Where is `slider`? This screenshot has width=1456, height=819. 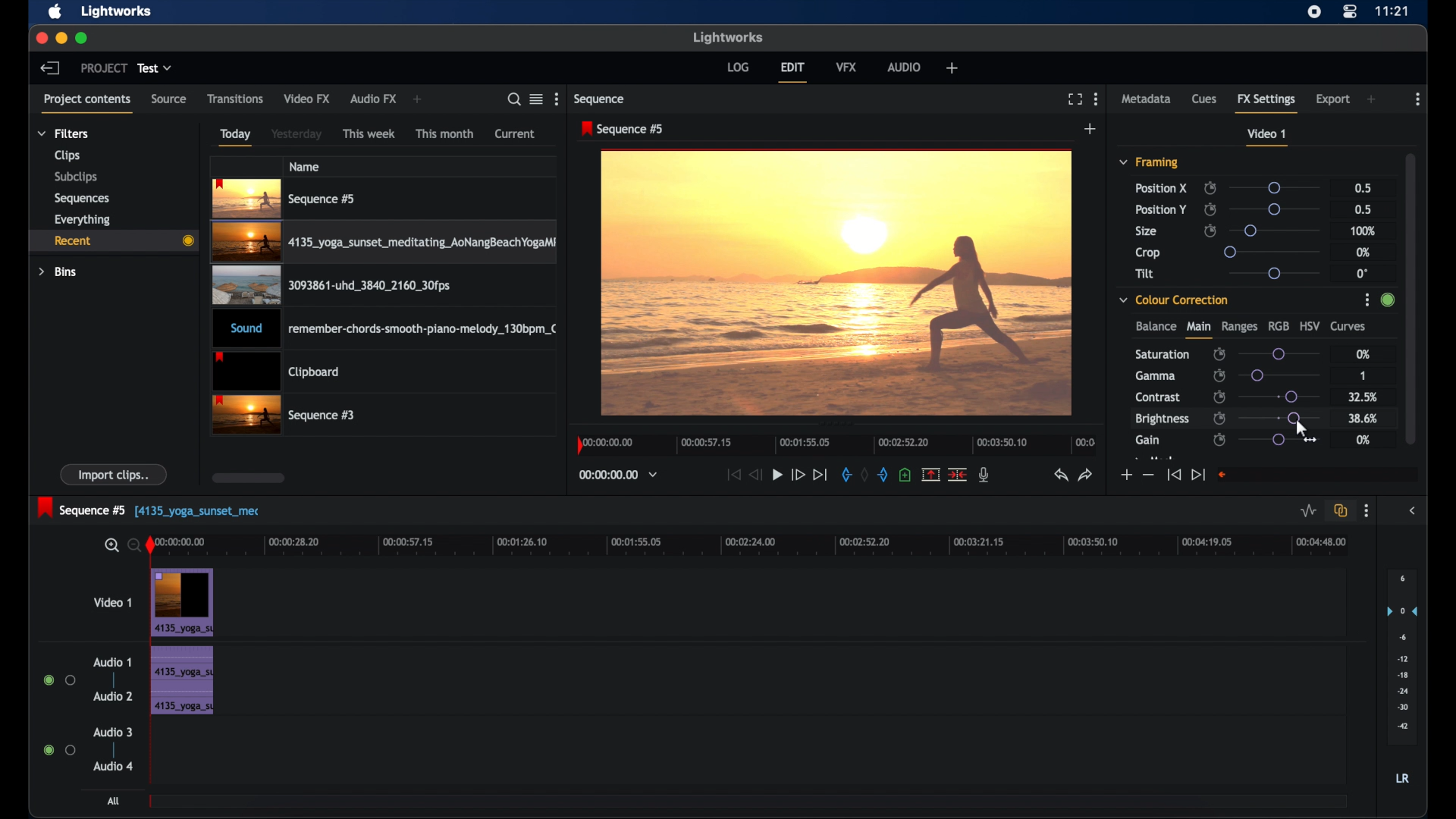
slider is located at coordinates (1279, 440).